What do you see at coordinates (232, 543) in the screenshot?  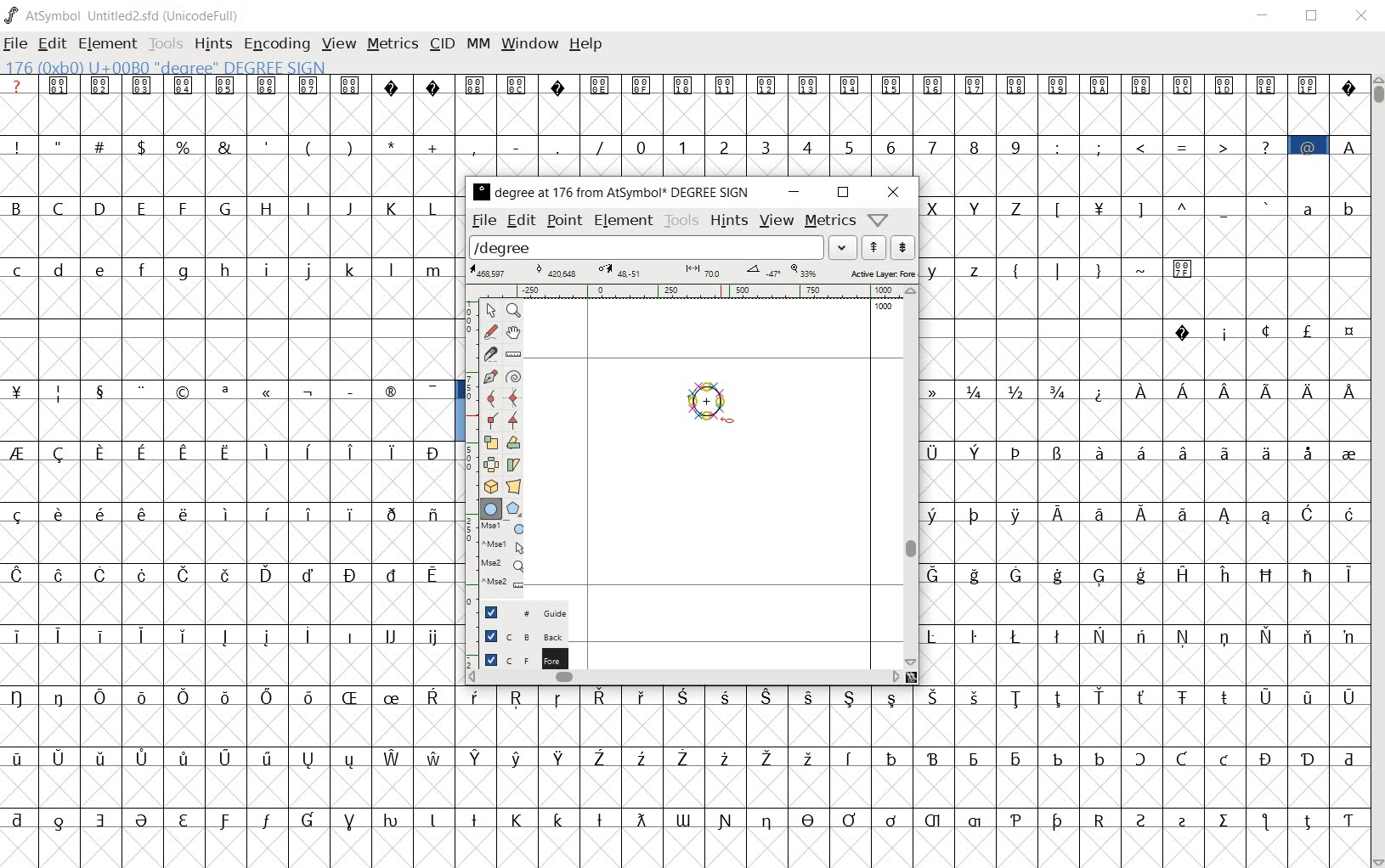 I see `empty glyph slots` at bounding box center [232, 543].